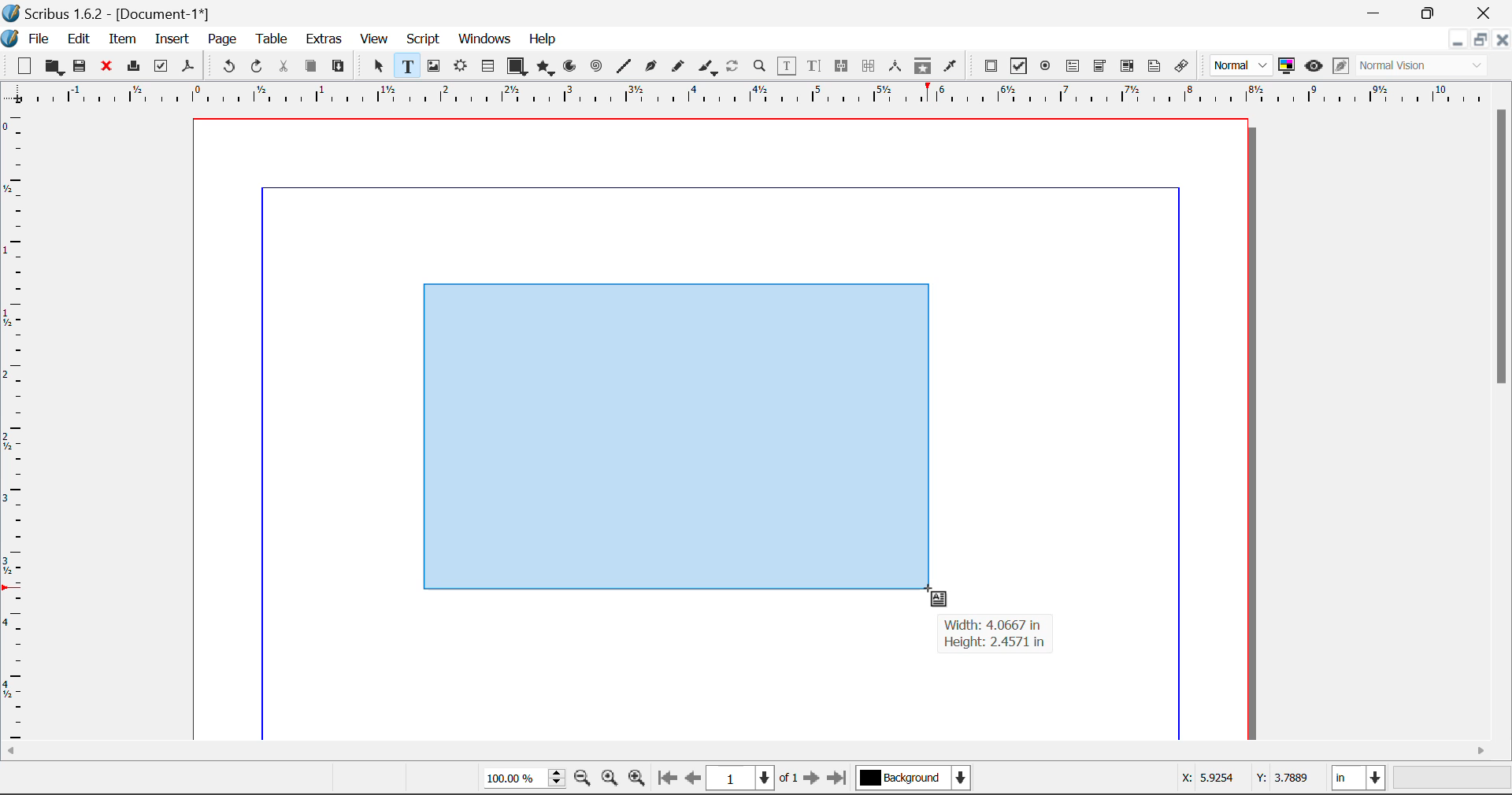 The image size is (1512, 795). Describe the element at coordinates (596, 66) in the screenshot. I see `Spiral` at that location.